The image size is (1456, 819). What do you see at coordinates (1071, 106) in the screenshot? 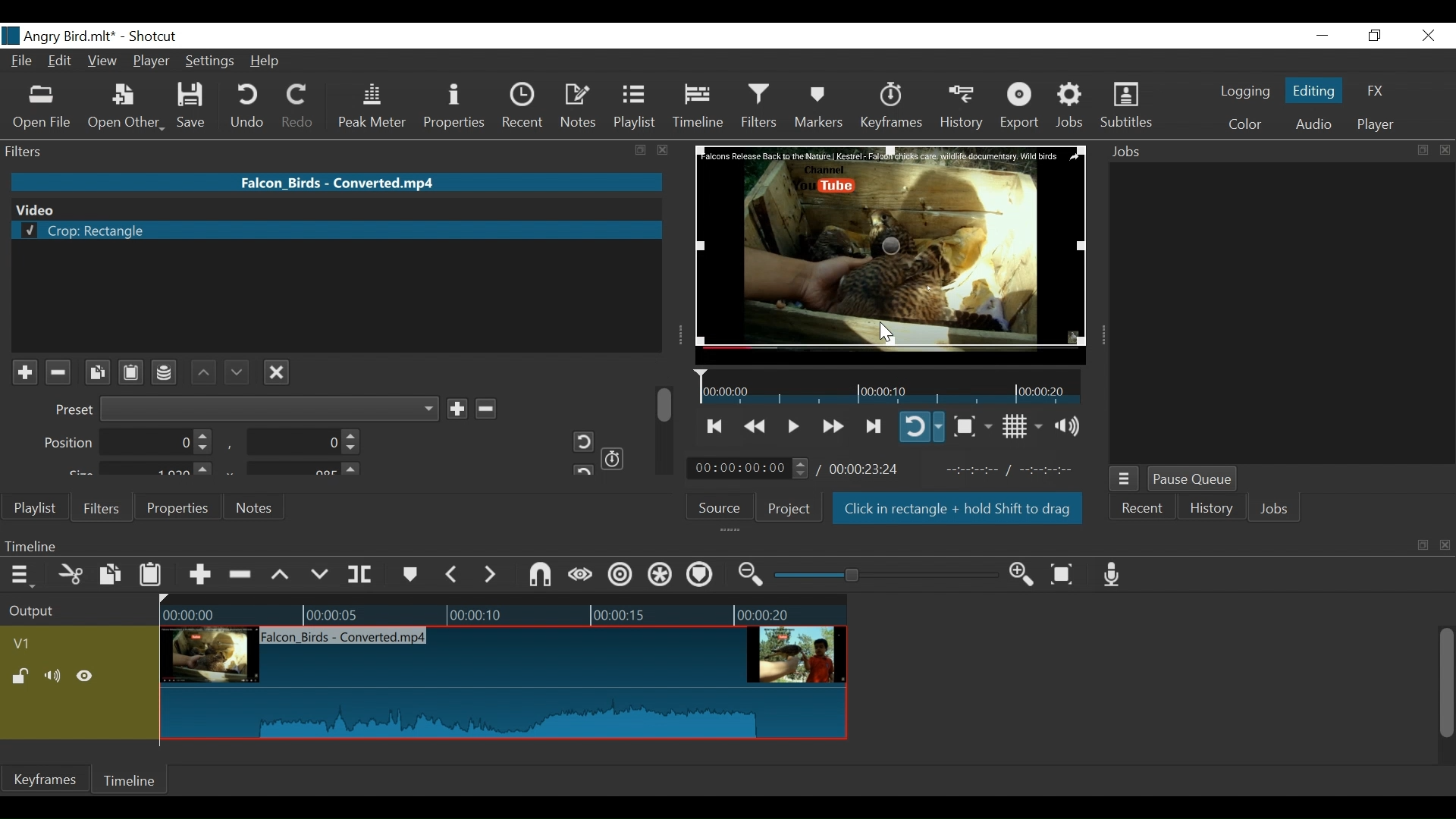
I see `Jobs` at bounding box center [1071, 106].